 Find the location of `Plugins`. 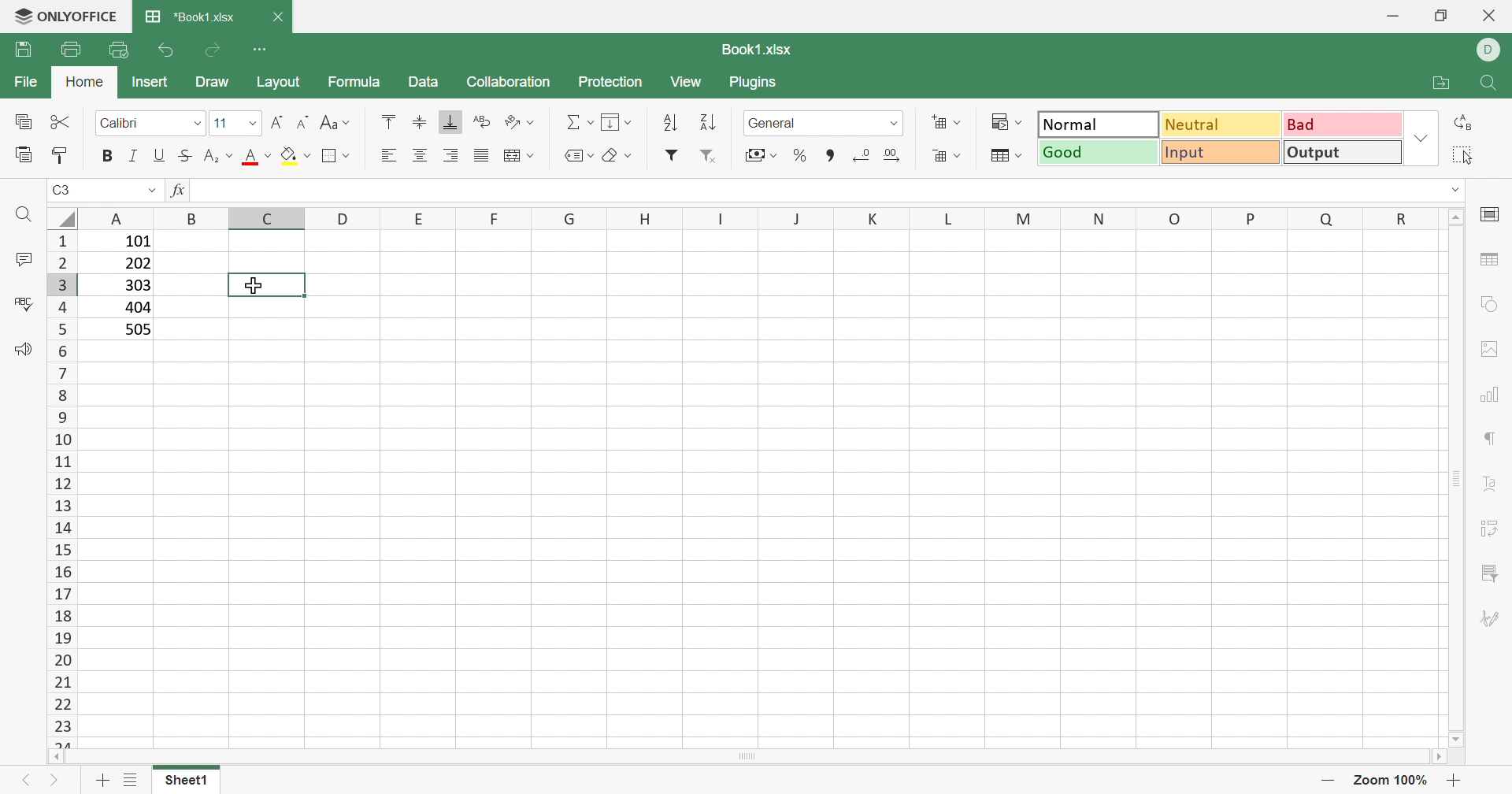

Plugins is located at coordinates (760, 83).